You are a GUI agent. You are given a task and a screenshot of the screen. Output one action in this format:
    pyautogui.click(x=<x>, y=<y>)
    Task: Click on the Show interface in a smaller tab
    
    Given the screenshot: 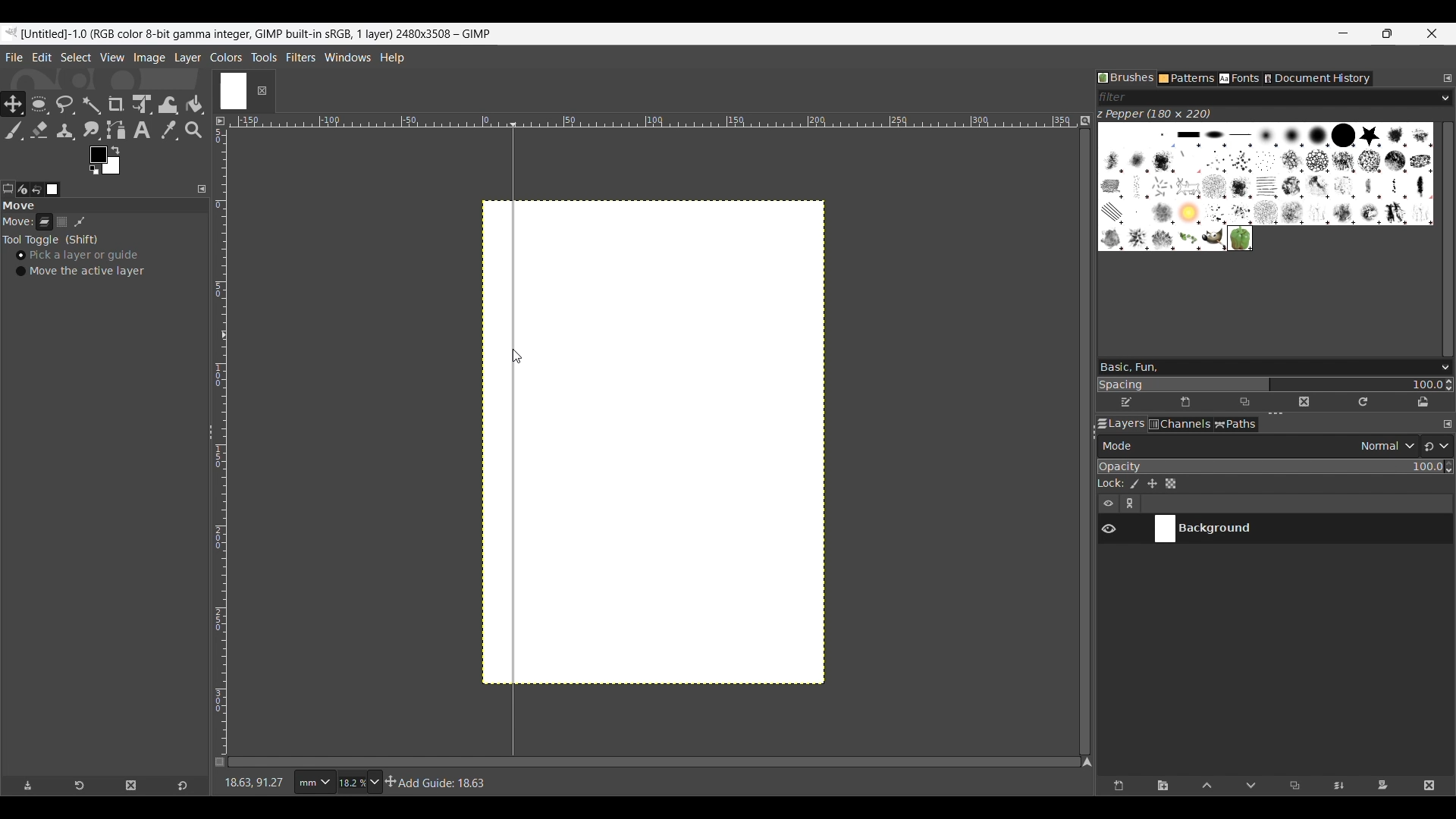 What is the action you would take?
    pyautogui.click(x=1387, y=33)
    